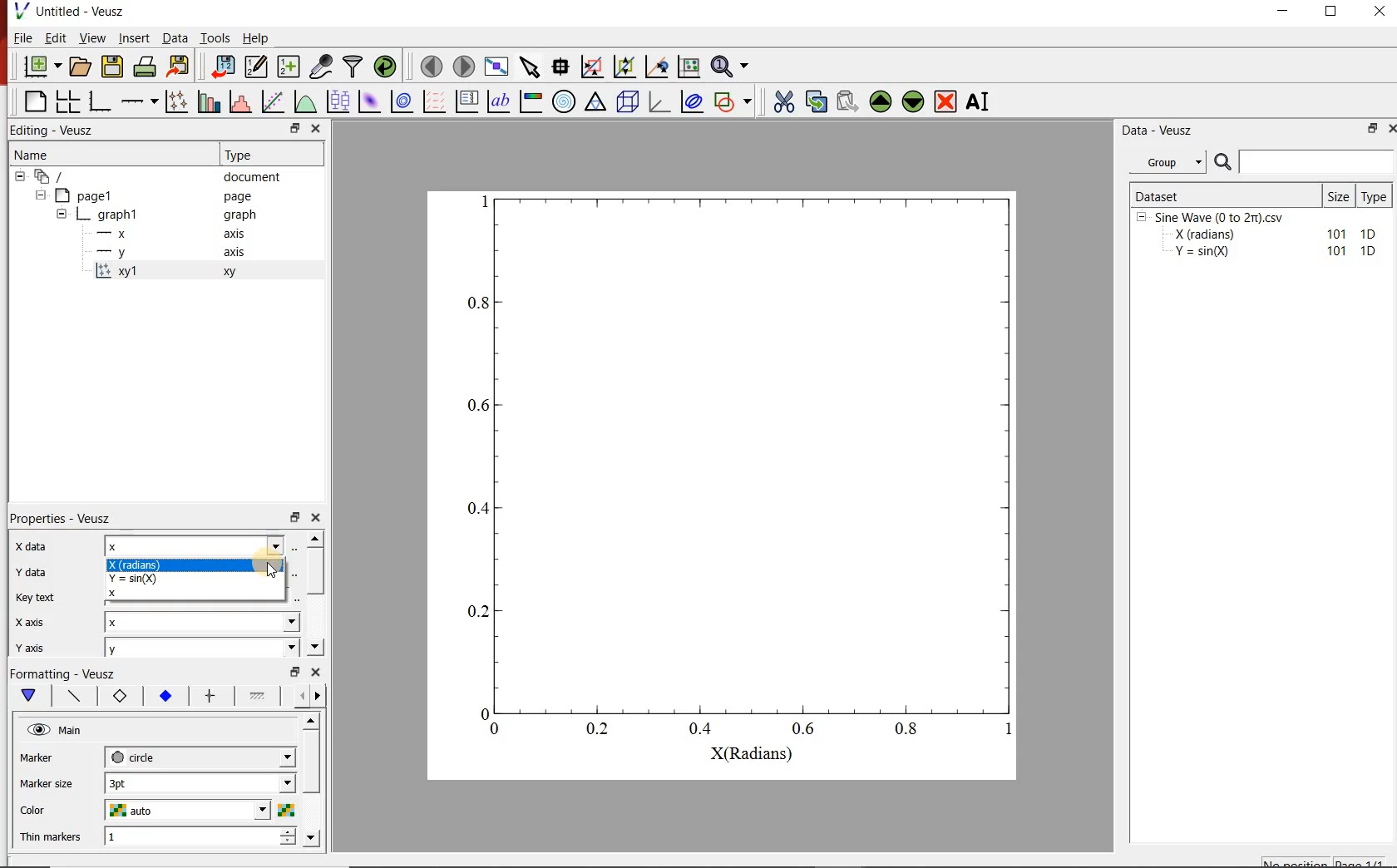 Image resolution: width=1397 pixels, height=868 pixels. Describe the element at coordinates (468, 101) in the screenshot. I see `plot key` at that location.